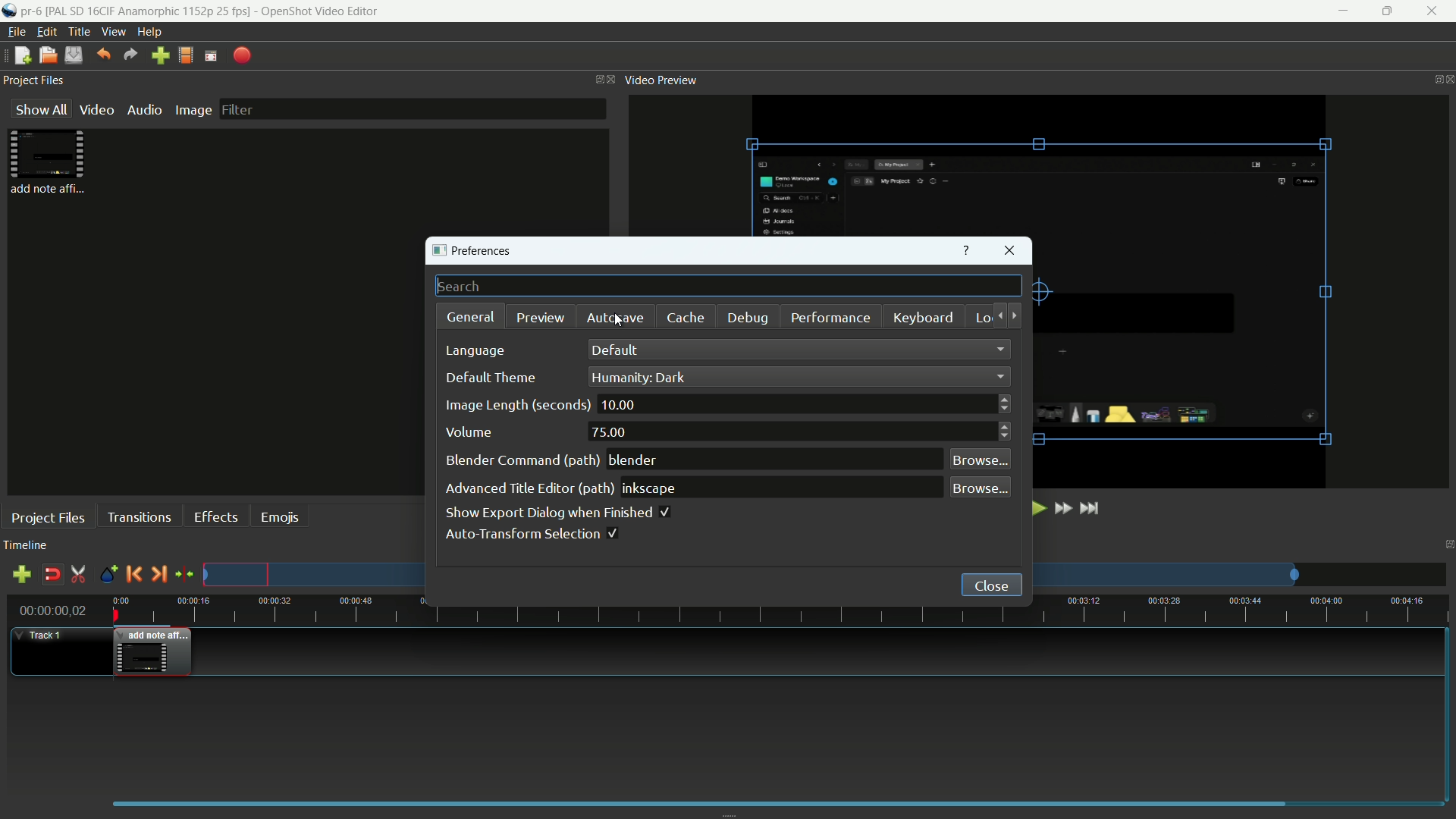 This screenshot has width=1456, height=819. What do you see at coordinates (469, 432) in the screenshot?
I see `volume` at bounding box center [469, 432].